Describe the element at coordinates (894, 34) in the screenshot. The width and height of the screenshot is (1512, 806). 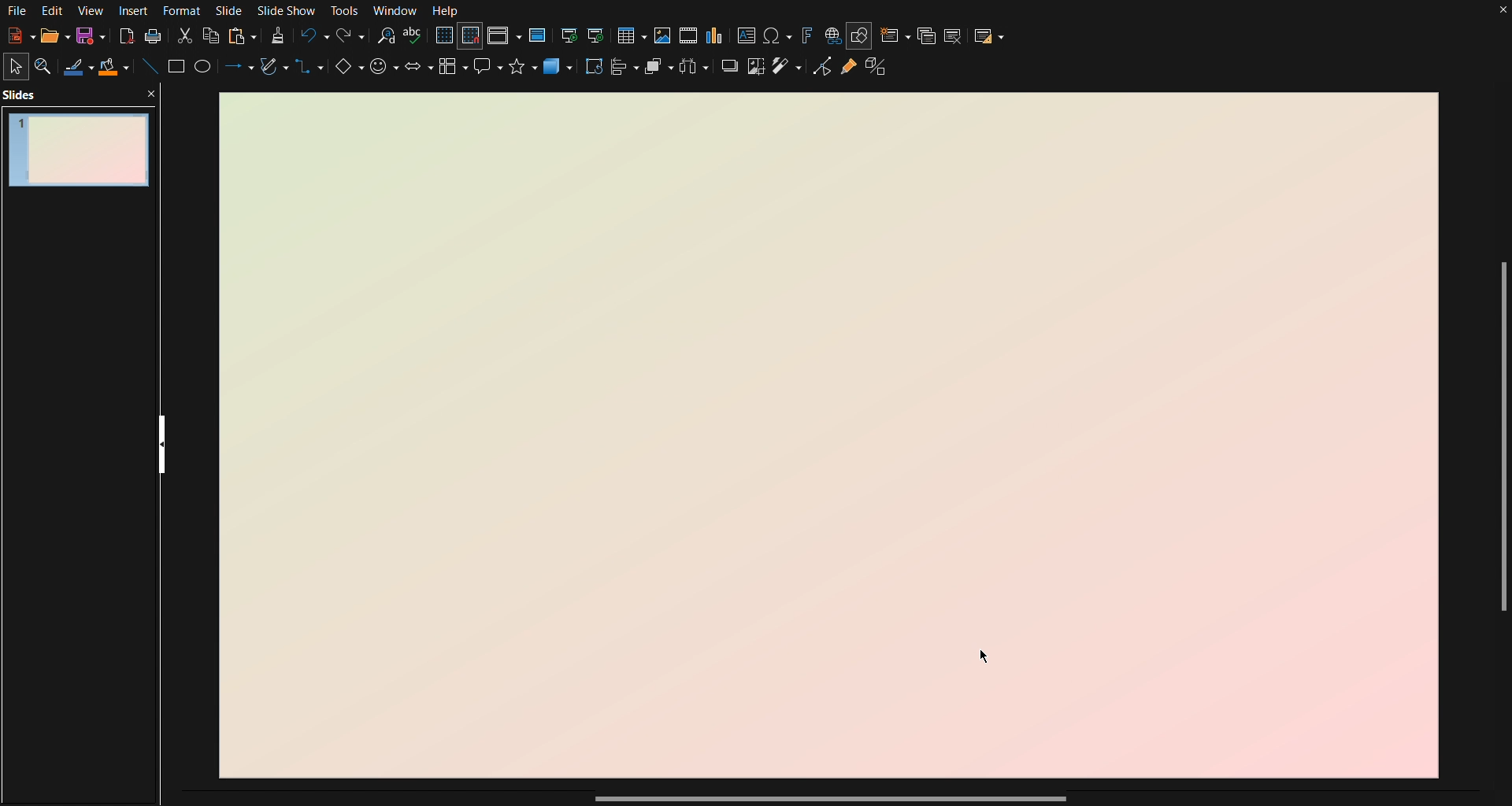
I see `New Slide` at that location.